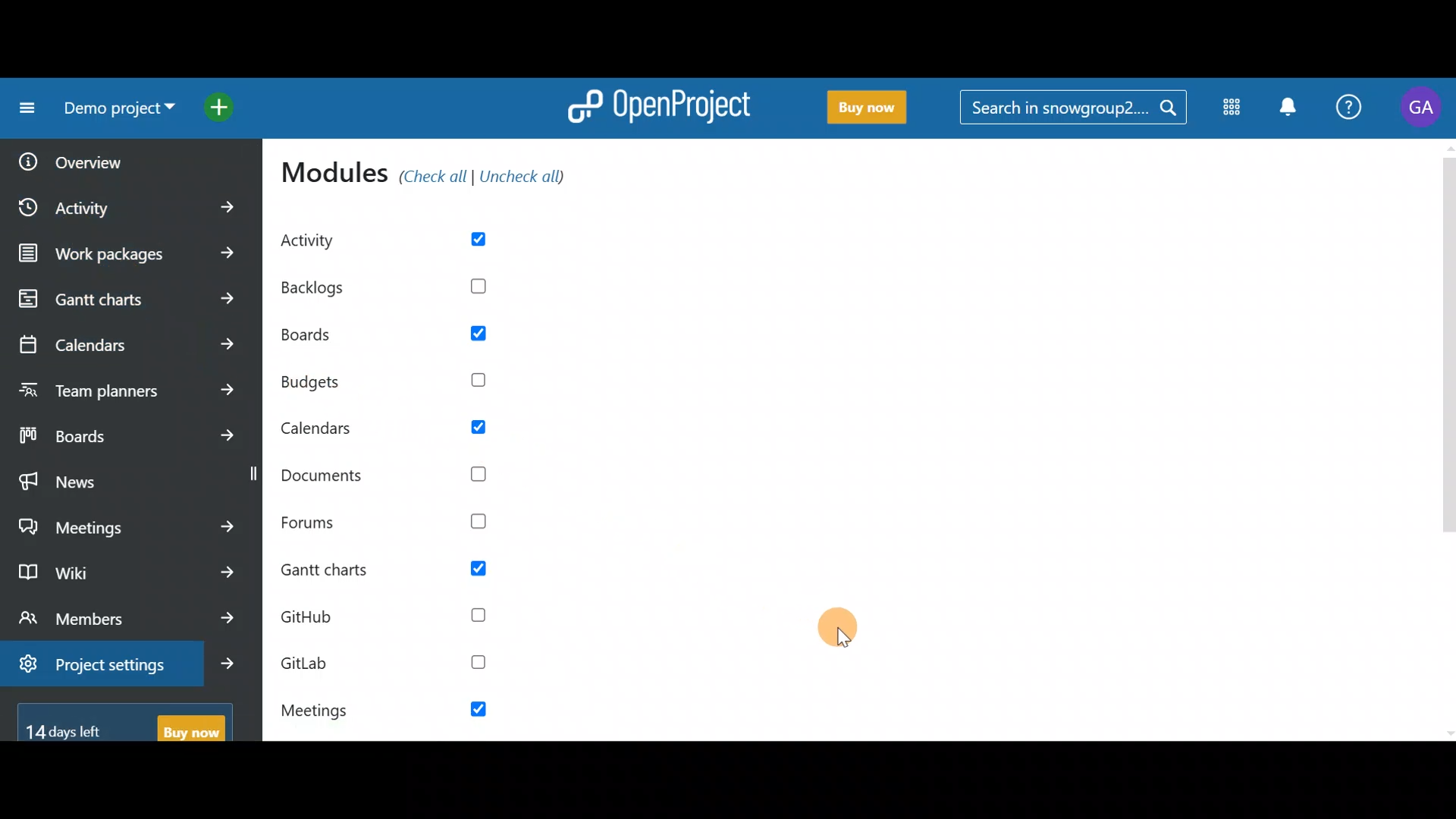 The image size is (1456, 819). I want to click on News, so click(119, 477).